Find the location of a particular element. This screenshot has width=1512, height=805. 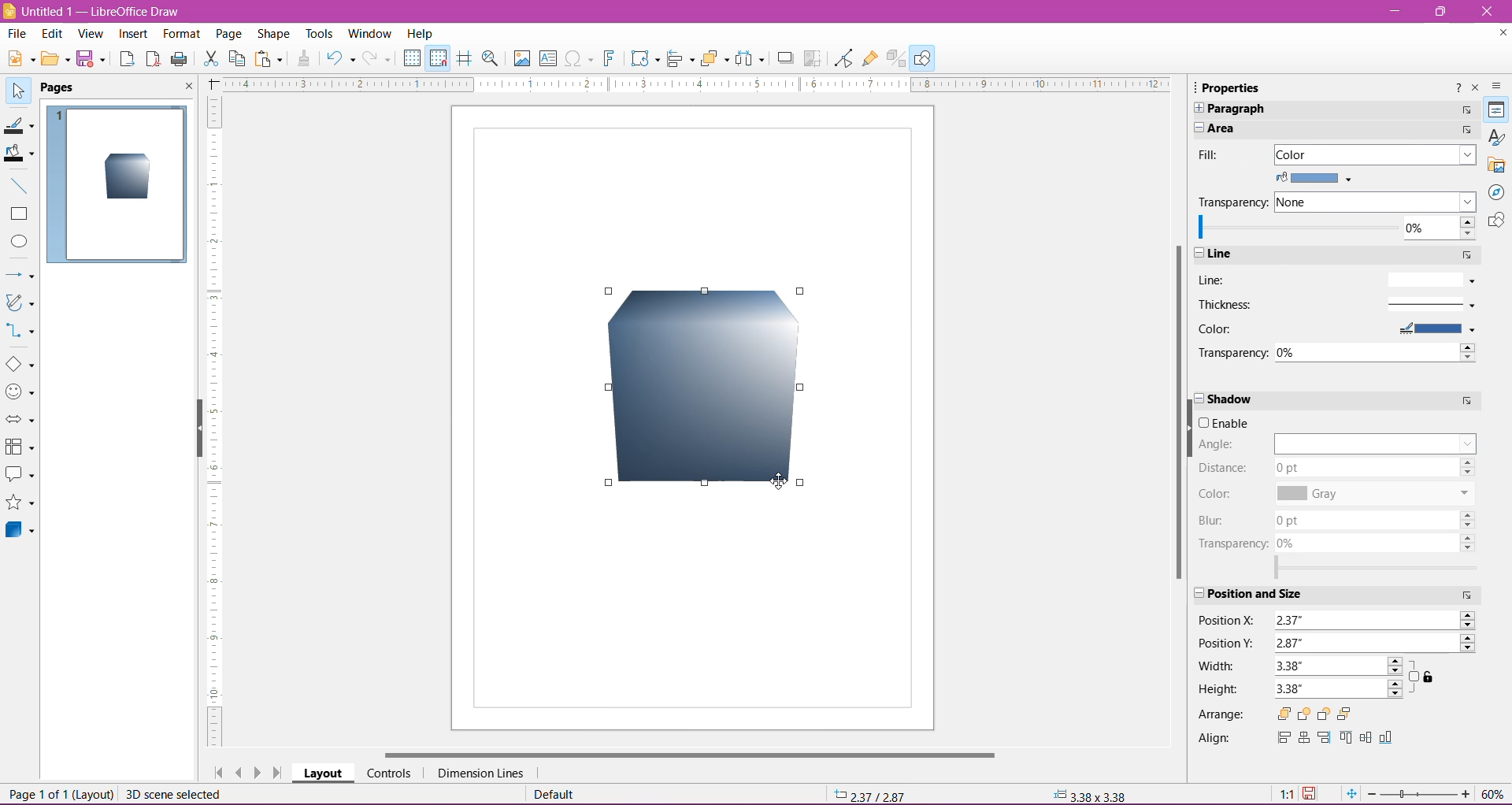

New is located at coordinates (19, 57).